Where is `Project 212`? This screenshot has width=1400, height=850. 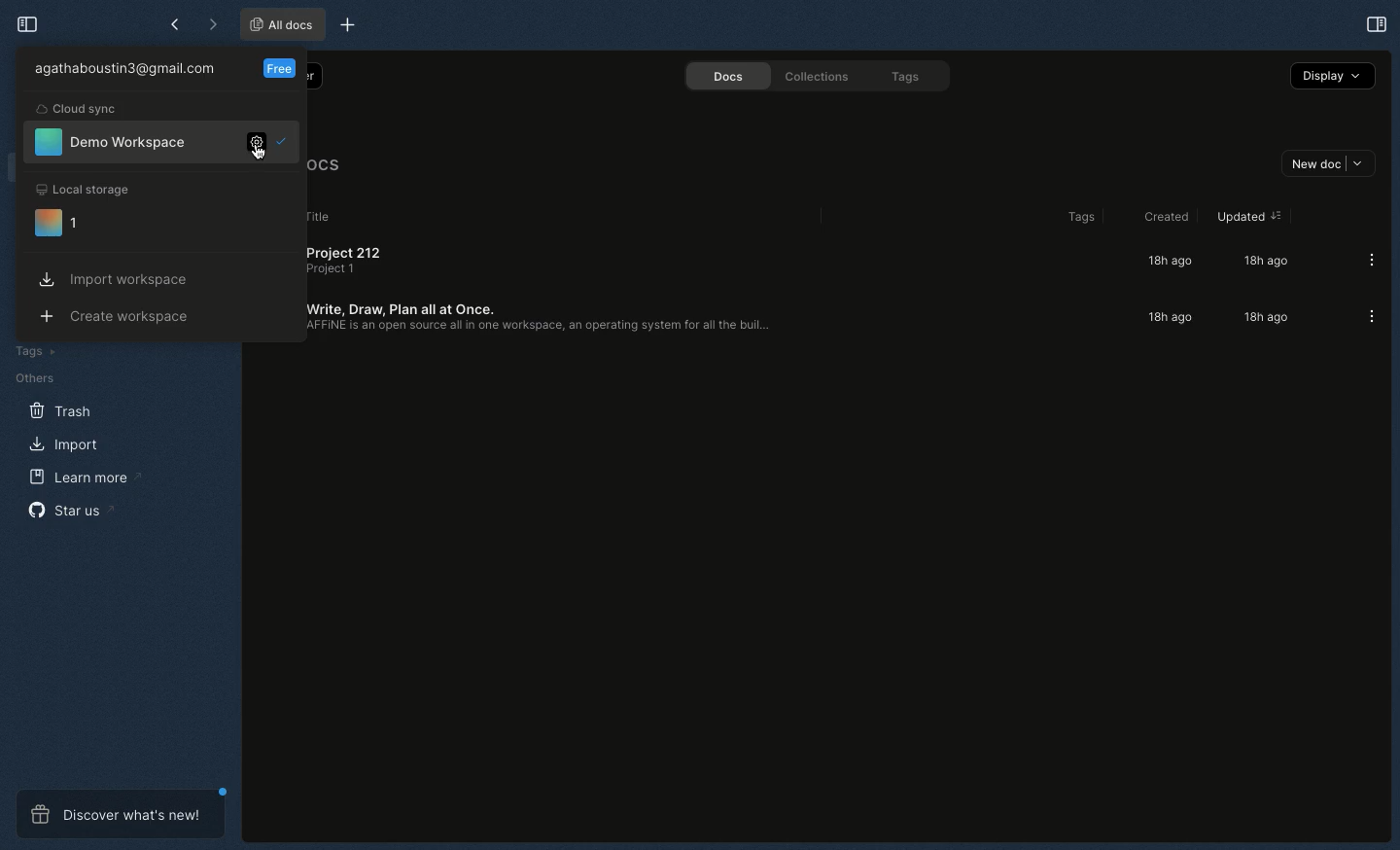
Project 212 is located at coordinates (351, 266).